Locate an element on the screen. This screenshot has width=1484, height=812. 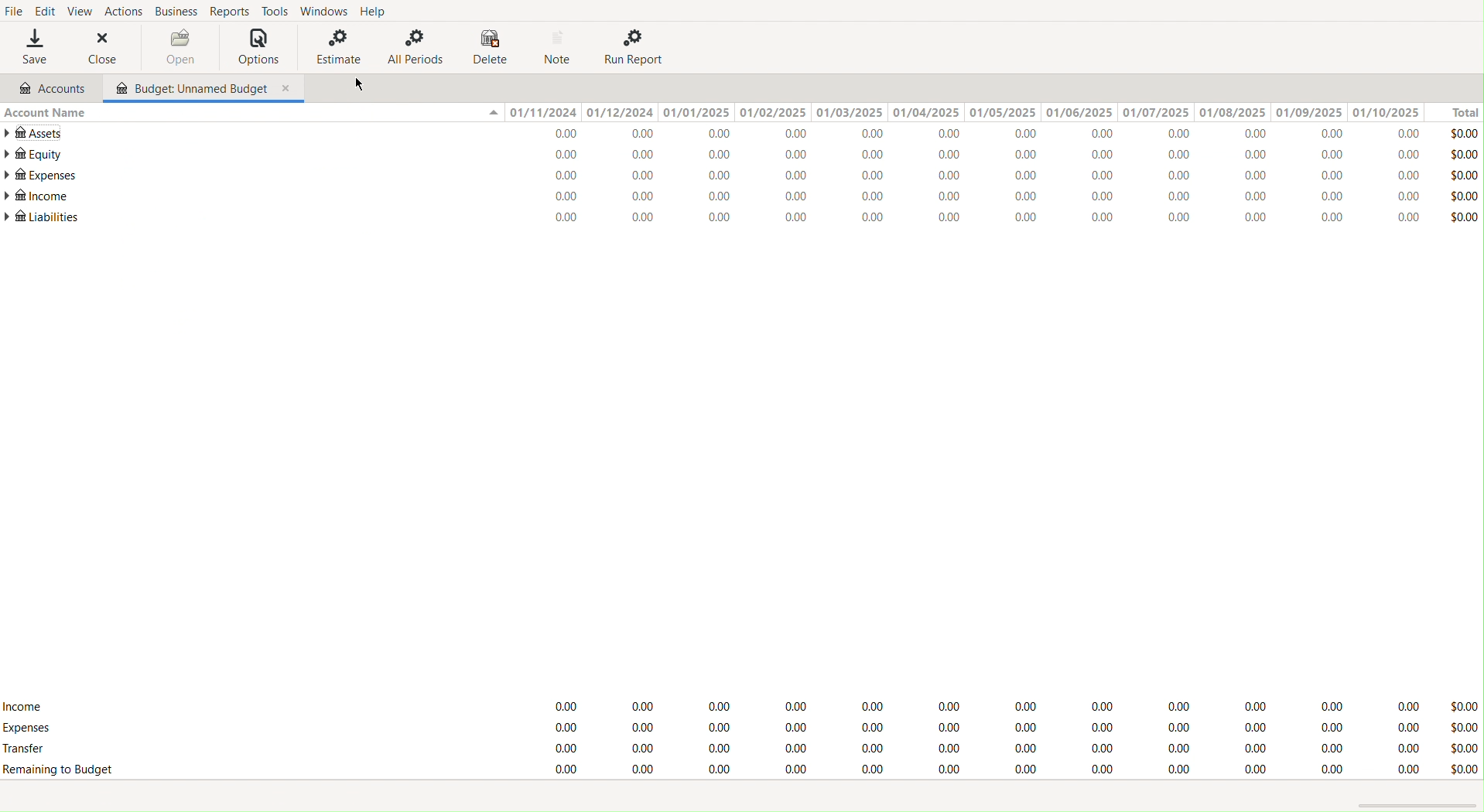
File is located at coordinates (15, 11).